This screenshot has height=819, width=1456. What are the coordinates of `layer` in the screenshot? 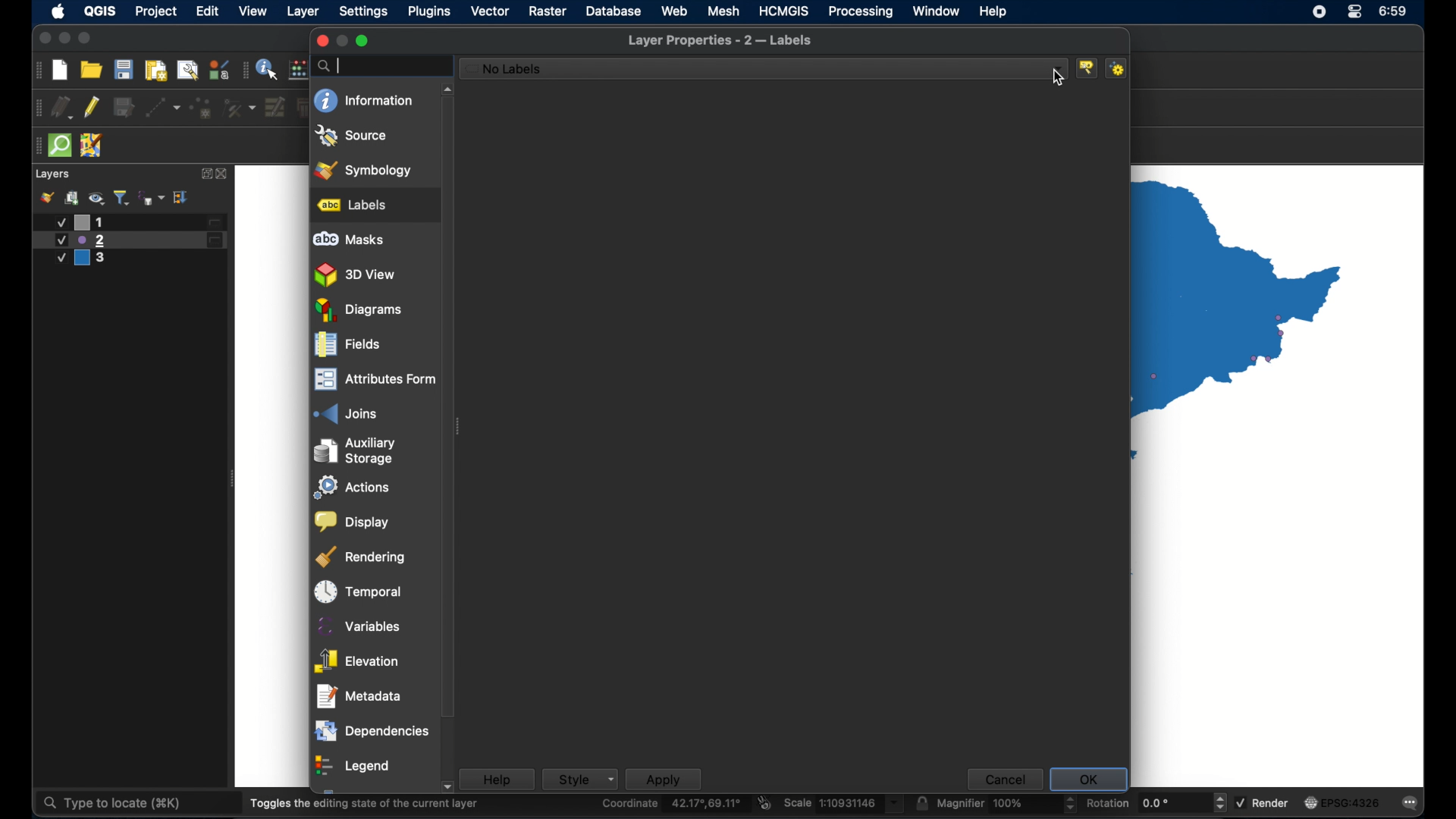 It's located at (304, 12).